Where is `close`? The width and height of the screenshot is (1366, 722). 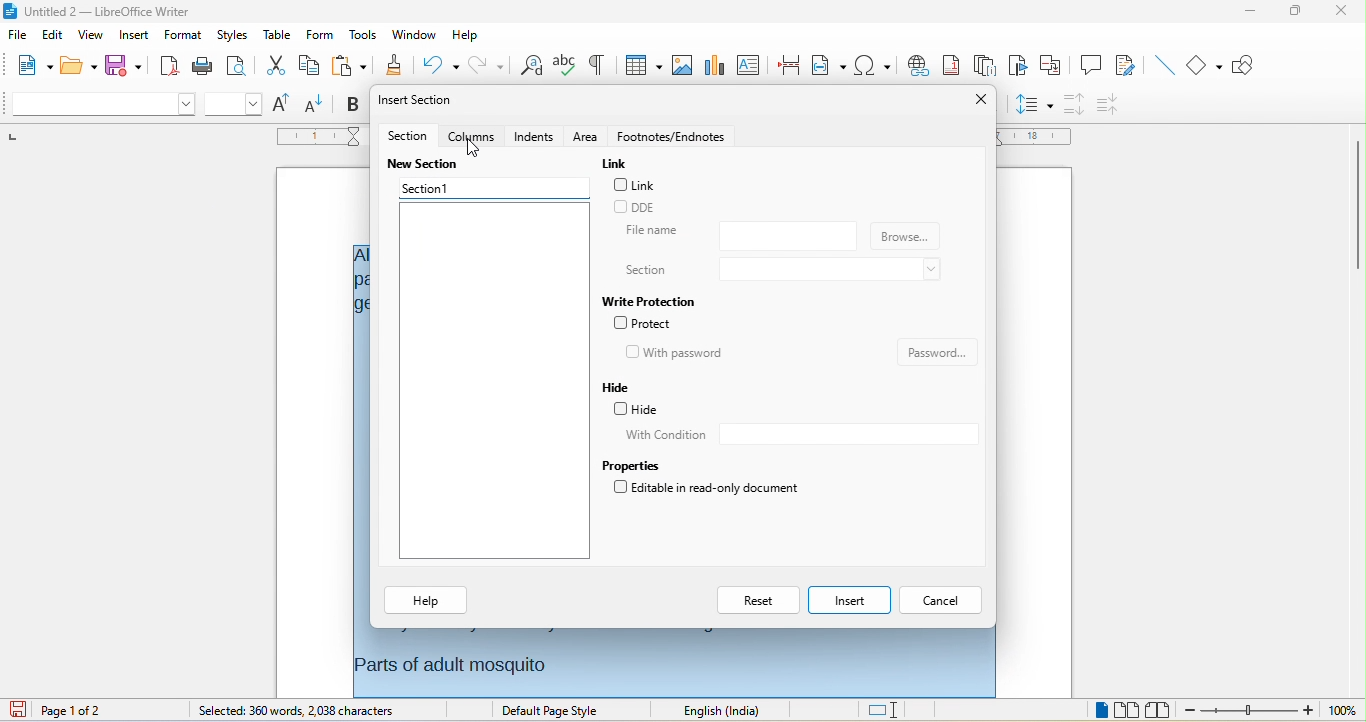 close is located at coordinates (979, 100).